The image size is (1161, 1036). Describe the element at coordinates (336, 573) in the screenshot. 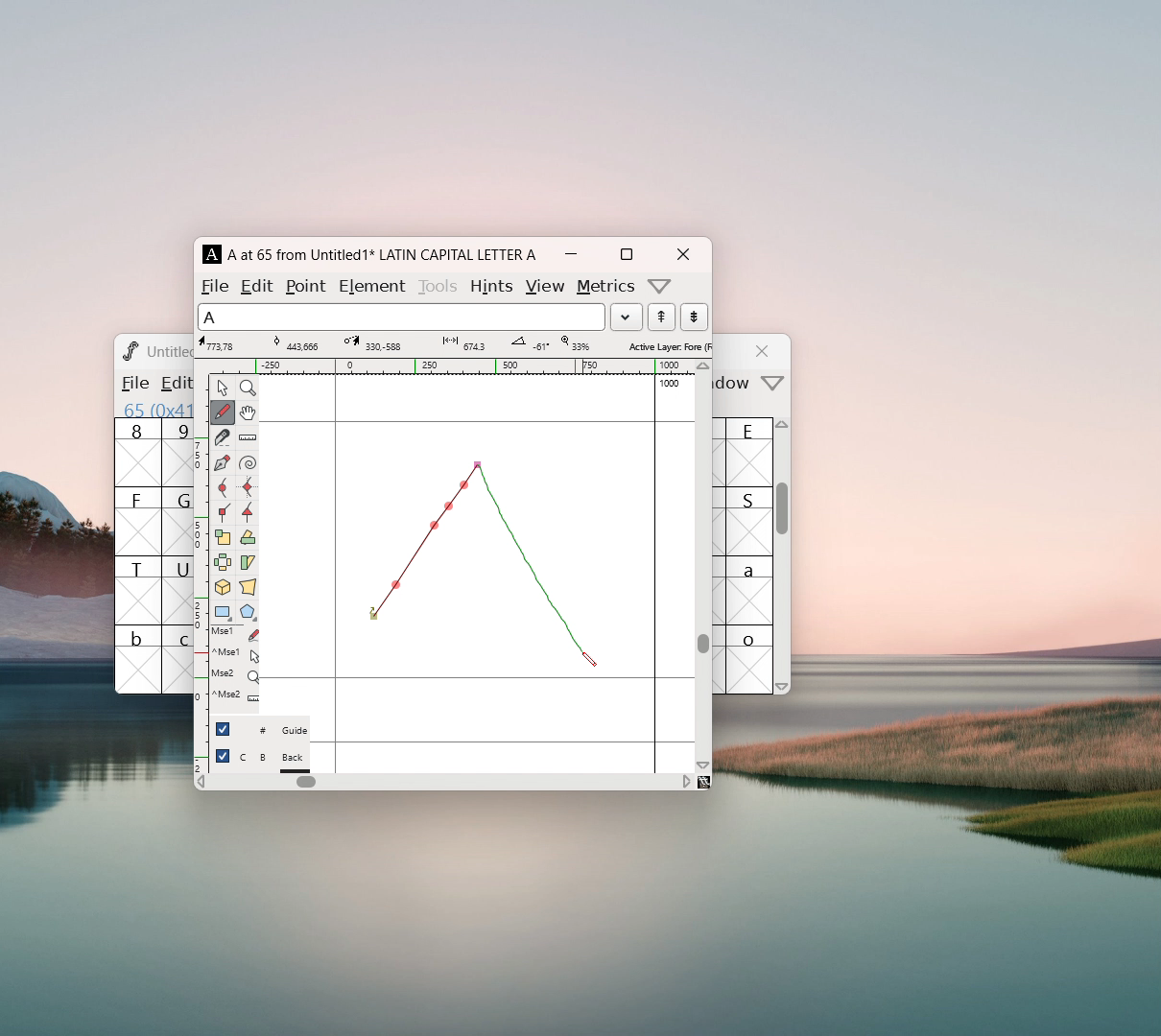

I see `left side bearing` at that location.